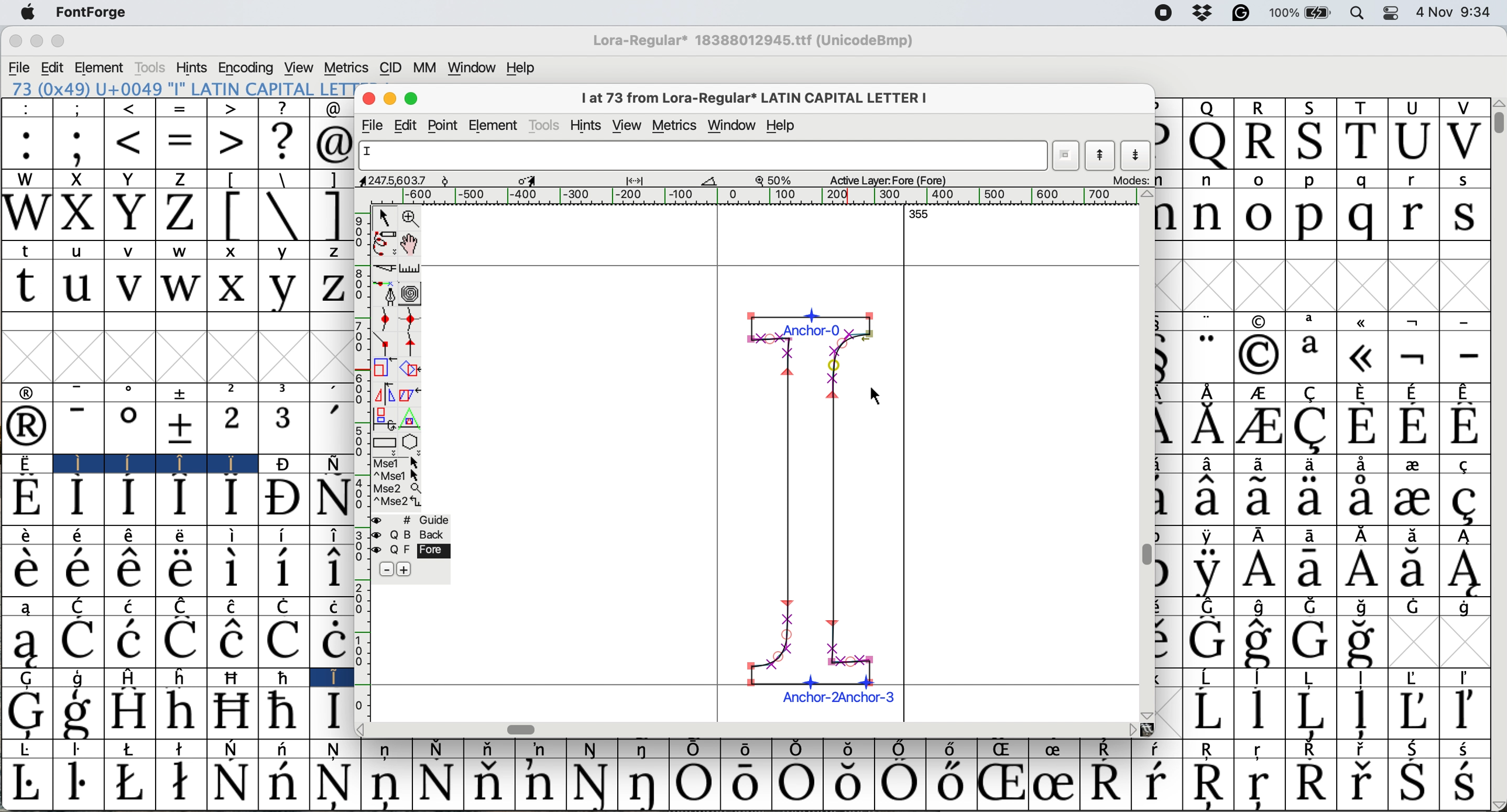  What do you see at coordinates (285, 391) in the screenshot?
I see `3` at bounding box center [285, 391].